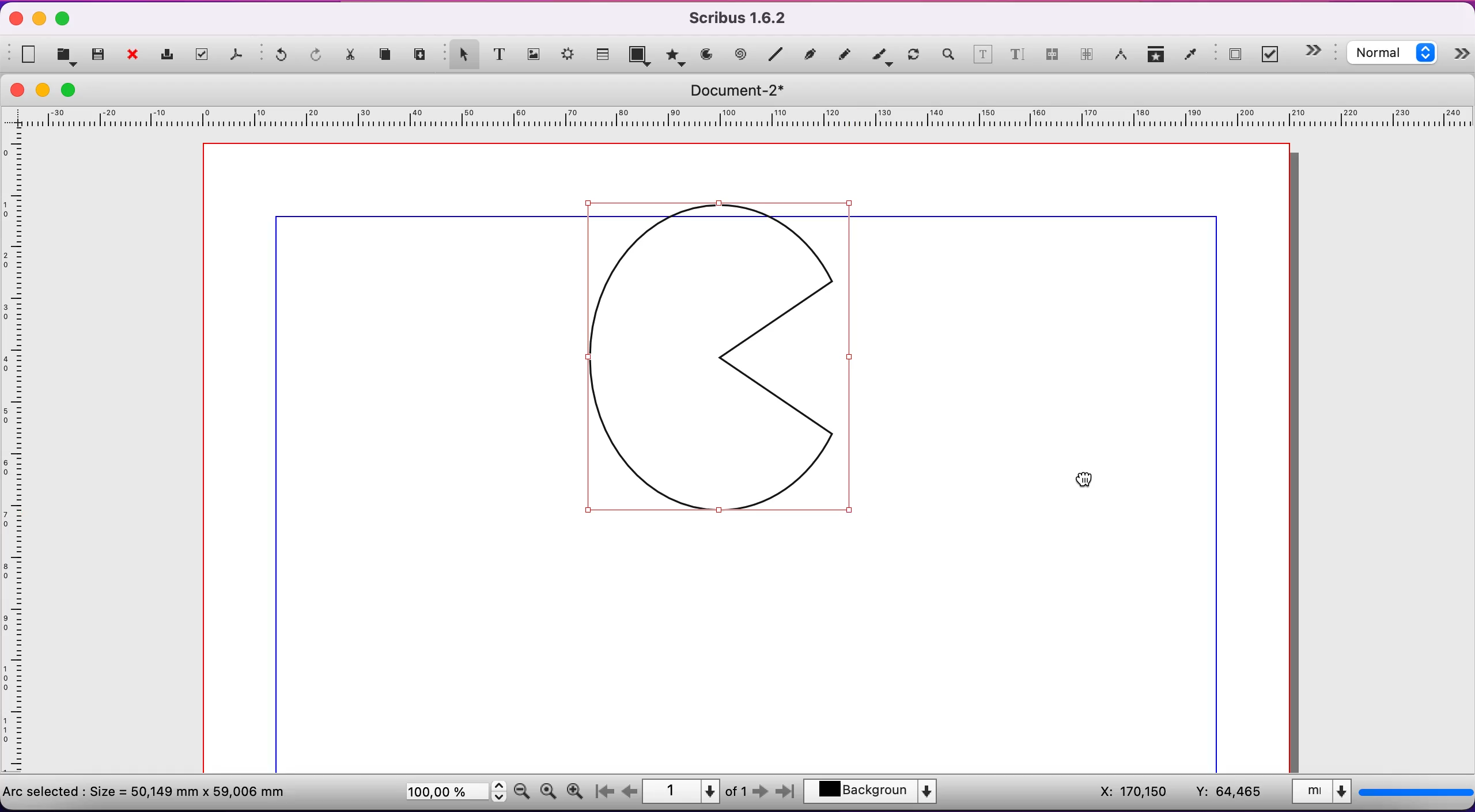  I want to click on close, so click(136, 56).